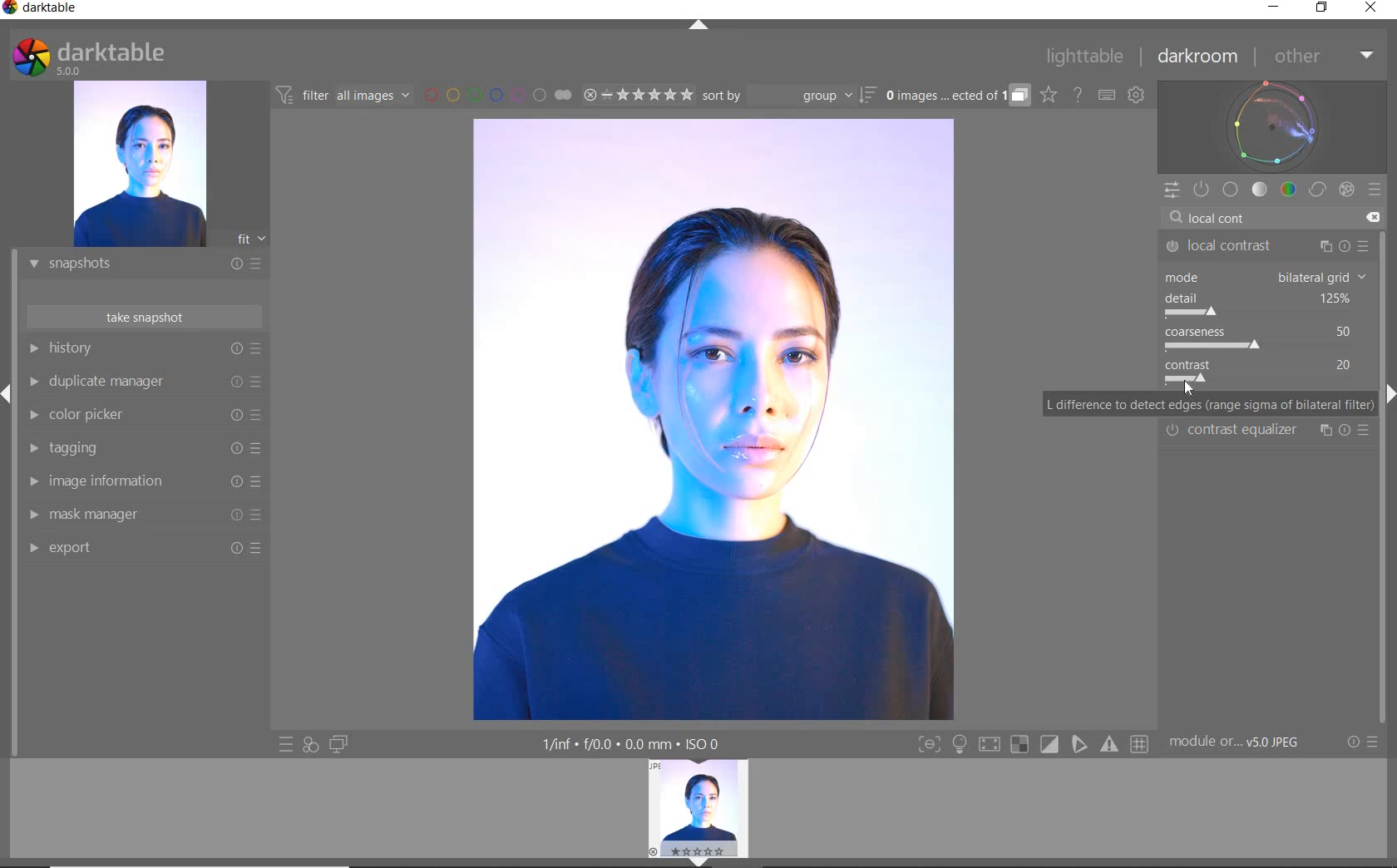  I want to click on LIGHTTABLE, so click(1085, 59).